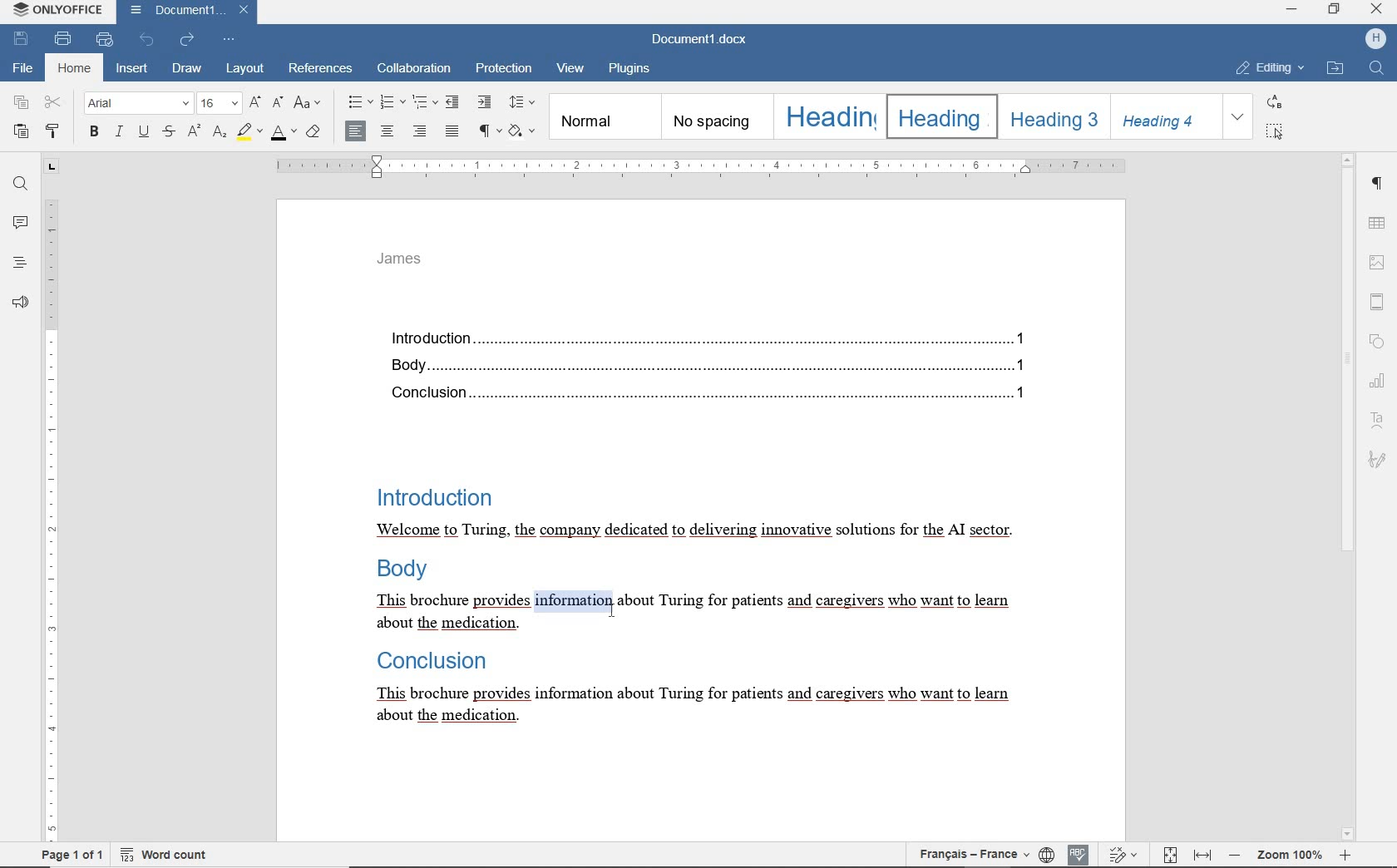 The width and height of the screenshot is (1397, 868). Describe the element at coordinates (54, 131) in the screenshot. I see `COPY STYLE` at that location.